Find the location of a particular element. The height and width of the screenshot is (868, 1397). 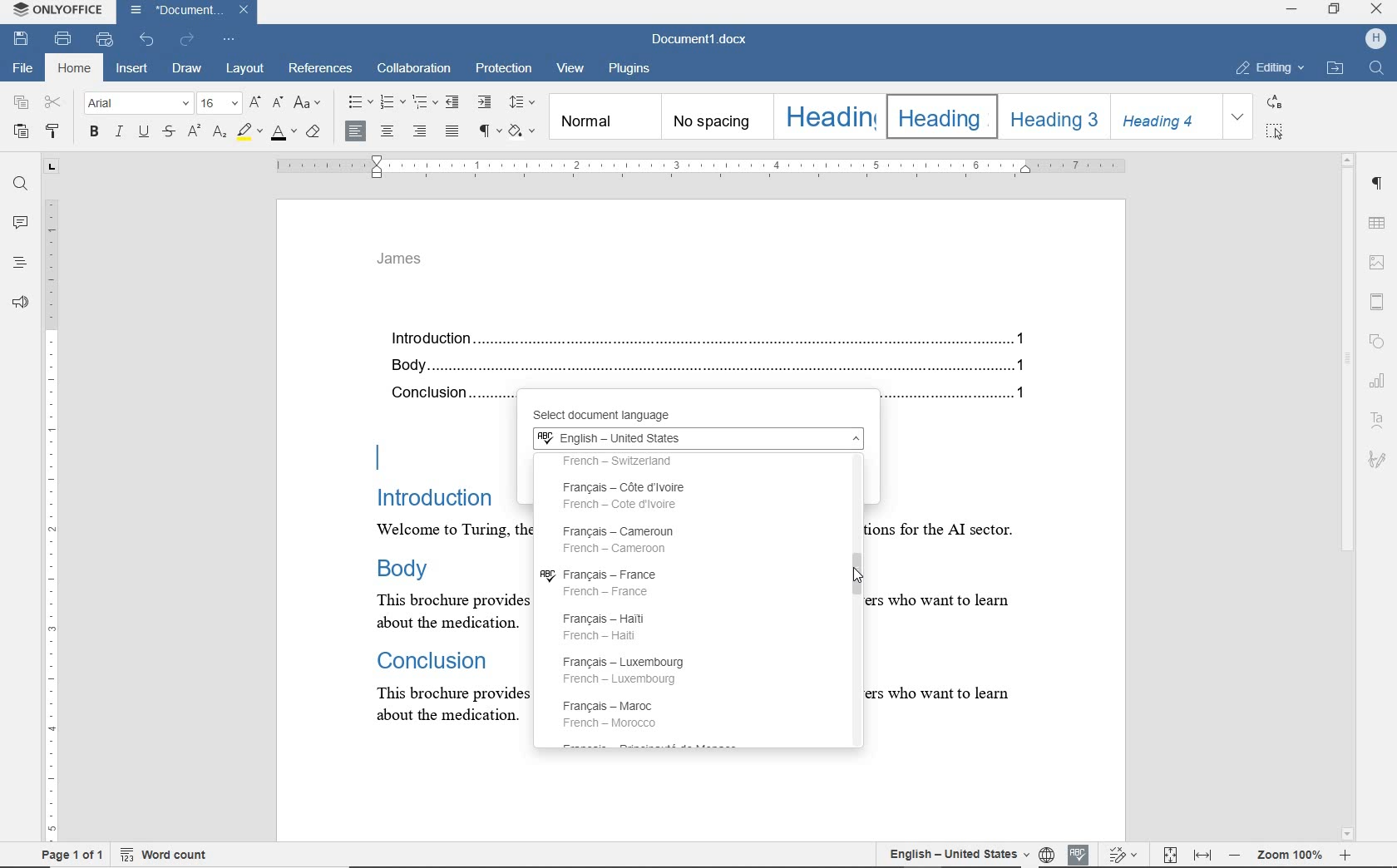

james is located at coordinates (400, 259).